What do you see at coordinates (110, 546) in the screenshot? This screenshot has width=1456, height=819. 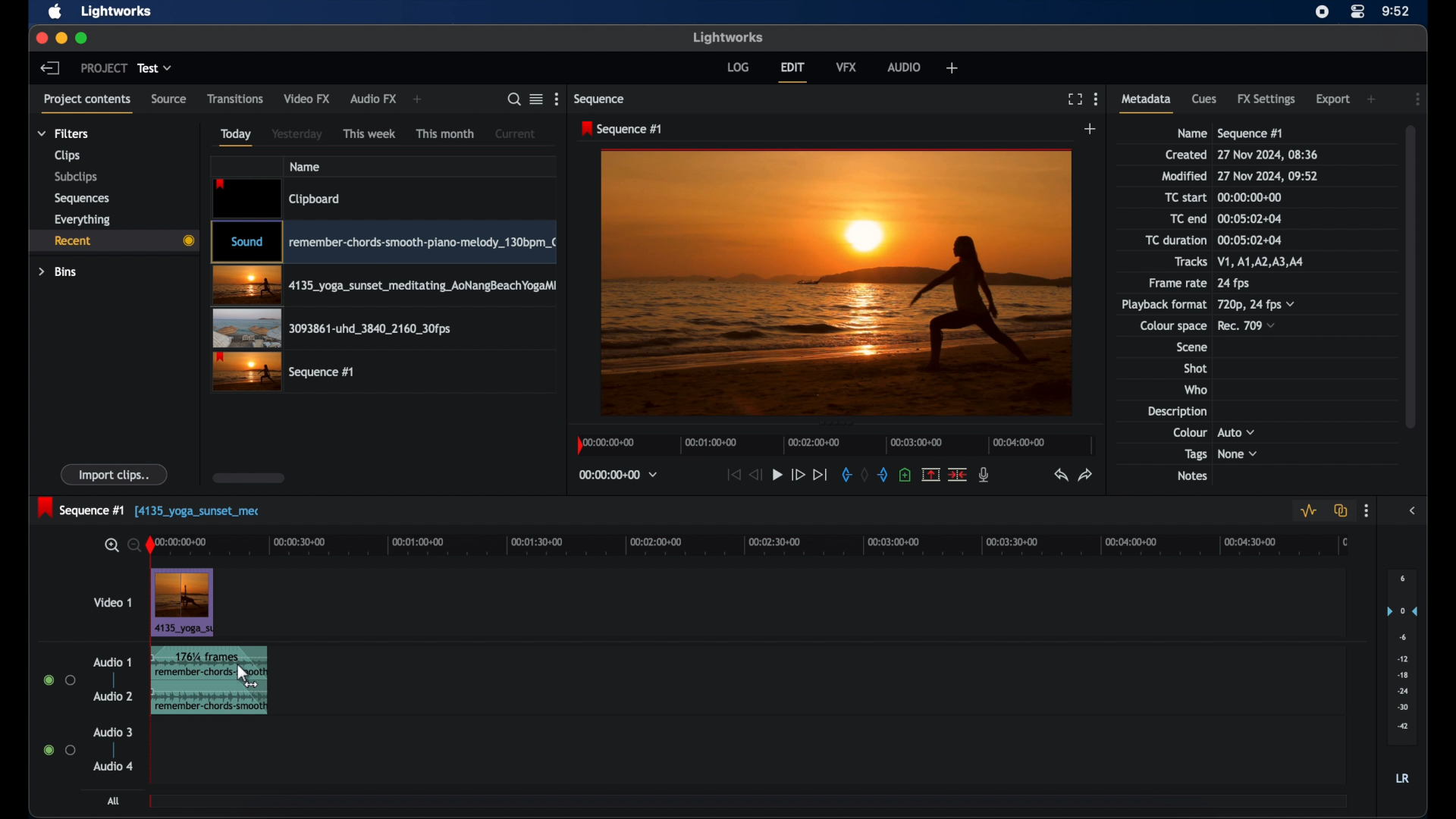 I see `zoom in` at bounding box center [110, 546].